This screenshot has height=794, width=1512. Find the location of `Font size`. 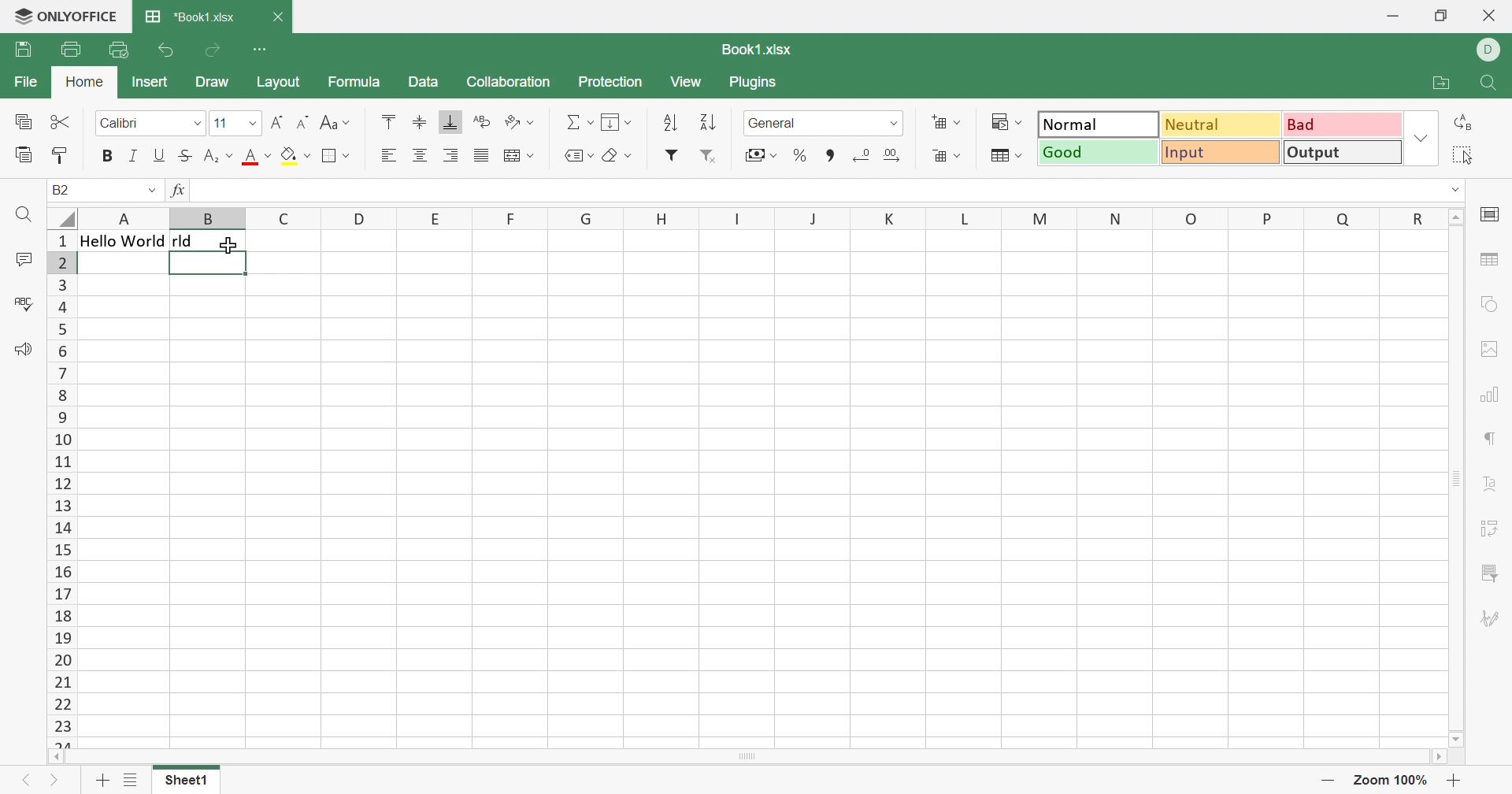

Font size is located at coordinates (236, 123).